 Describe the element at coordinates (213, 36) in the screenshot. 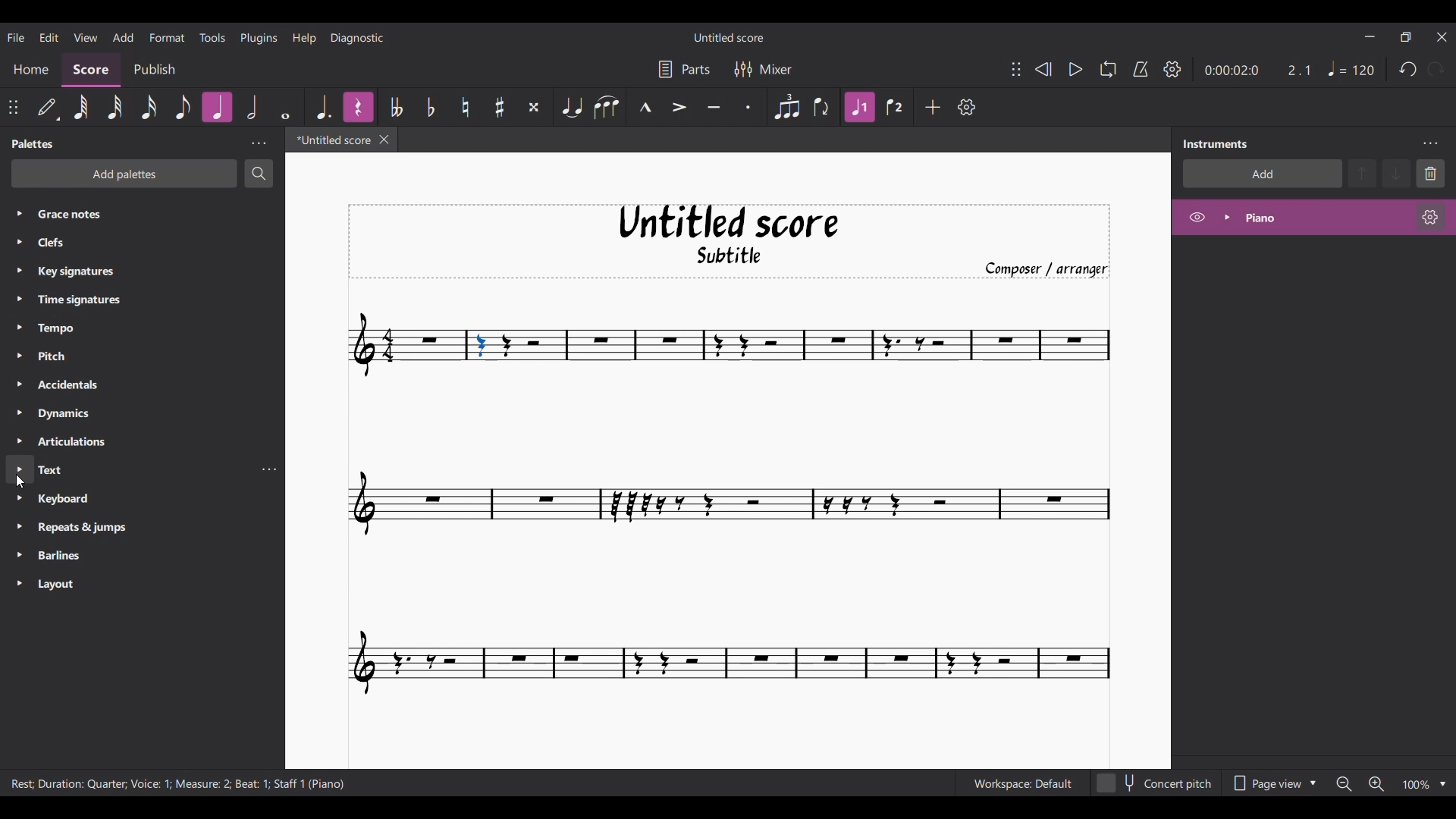

I see `Tools menu` at that location.